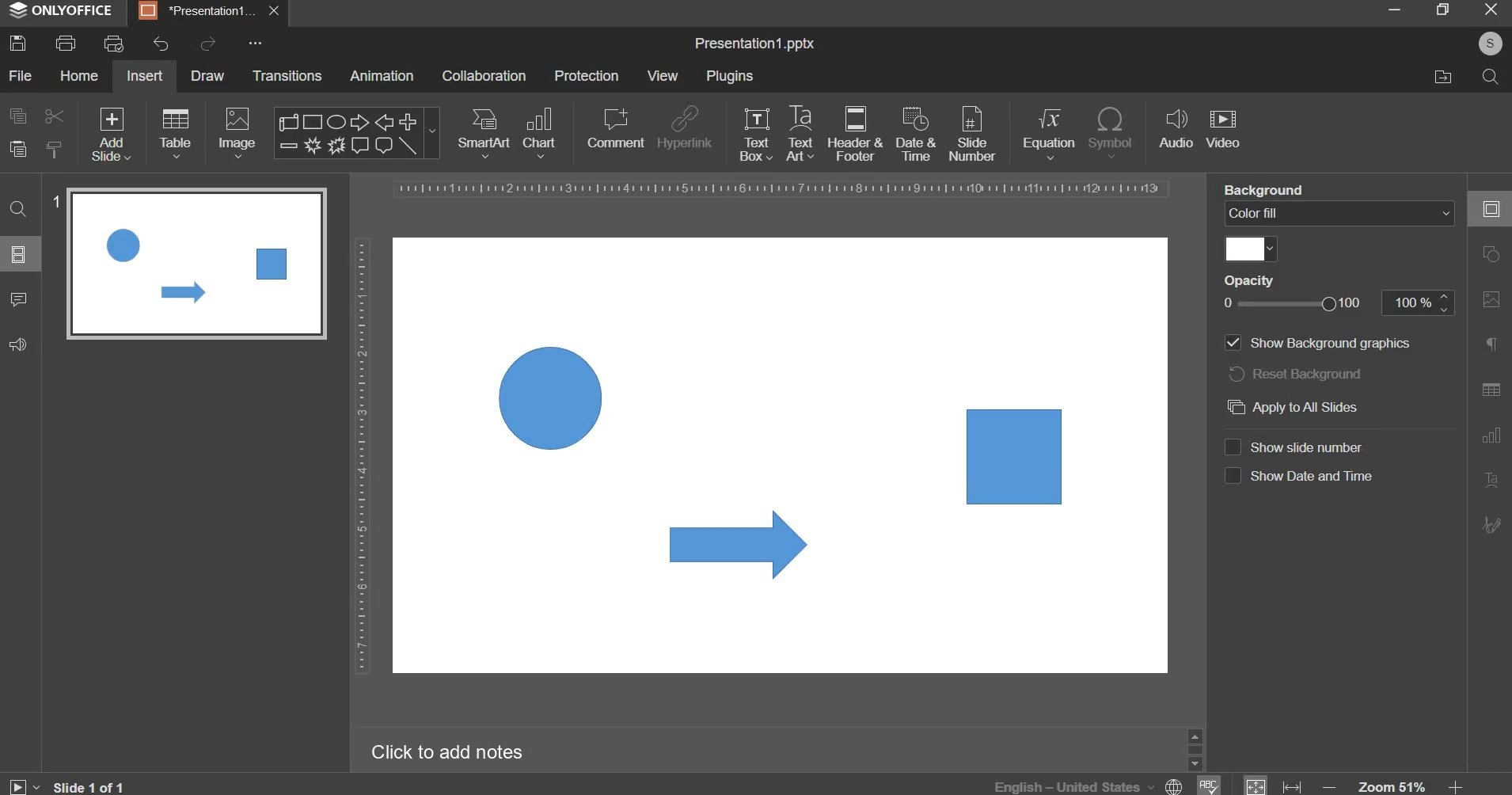 The image size is (1512, 795). Describe the element at coordinates (1491, 389) in the screenshot. I see `table setting` at that location.